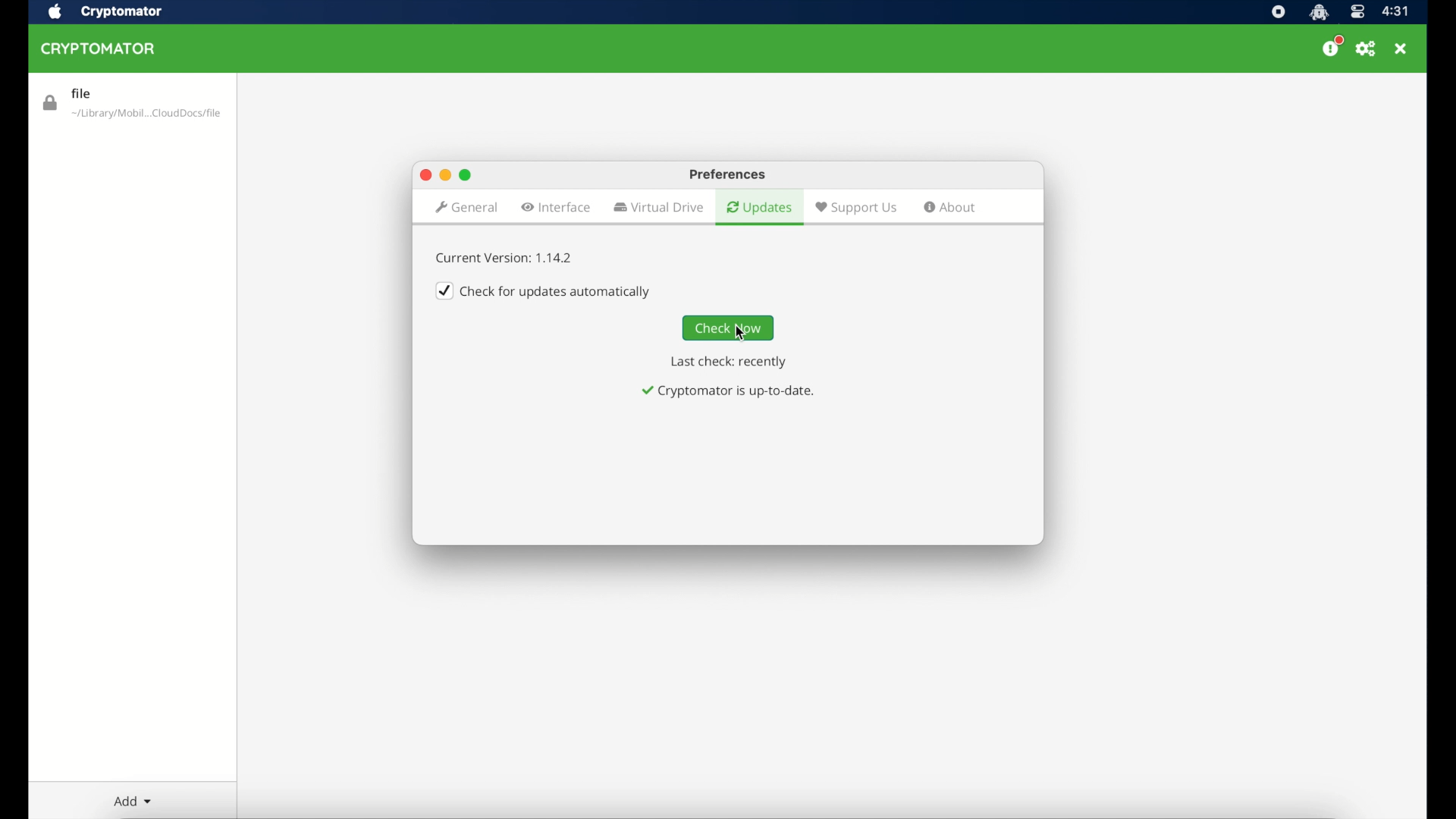  I want to click on notification, so click(729, 393).